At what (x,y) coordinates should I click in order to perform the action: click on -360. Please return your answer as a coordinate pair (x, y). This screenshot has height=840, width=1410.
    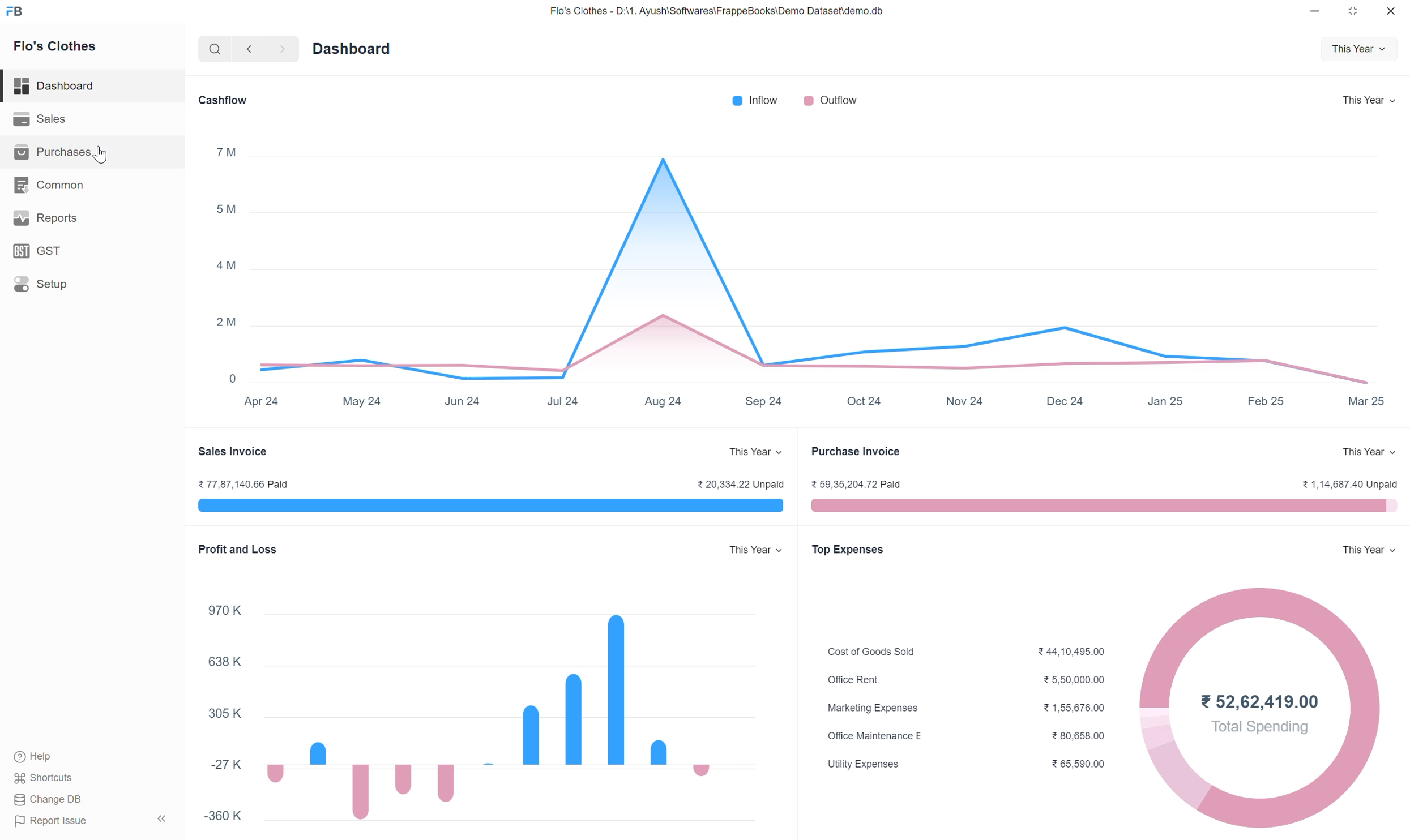
    Looking at the image, I should click on (225, 816).